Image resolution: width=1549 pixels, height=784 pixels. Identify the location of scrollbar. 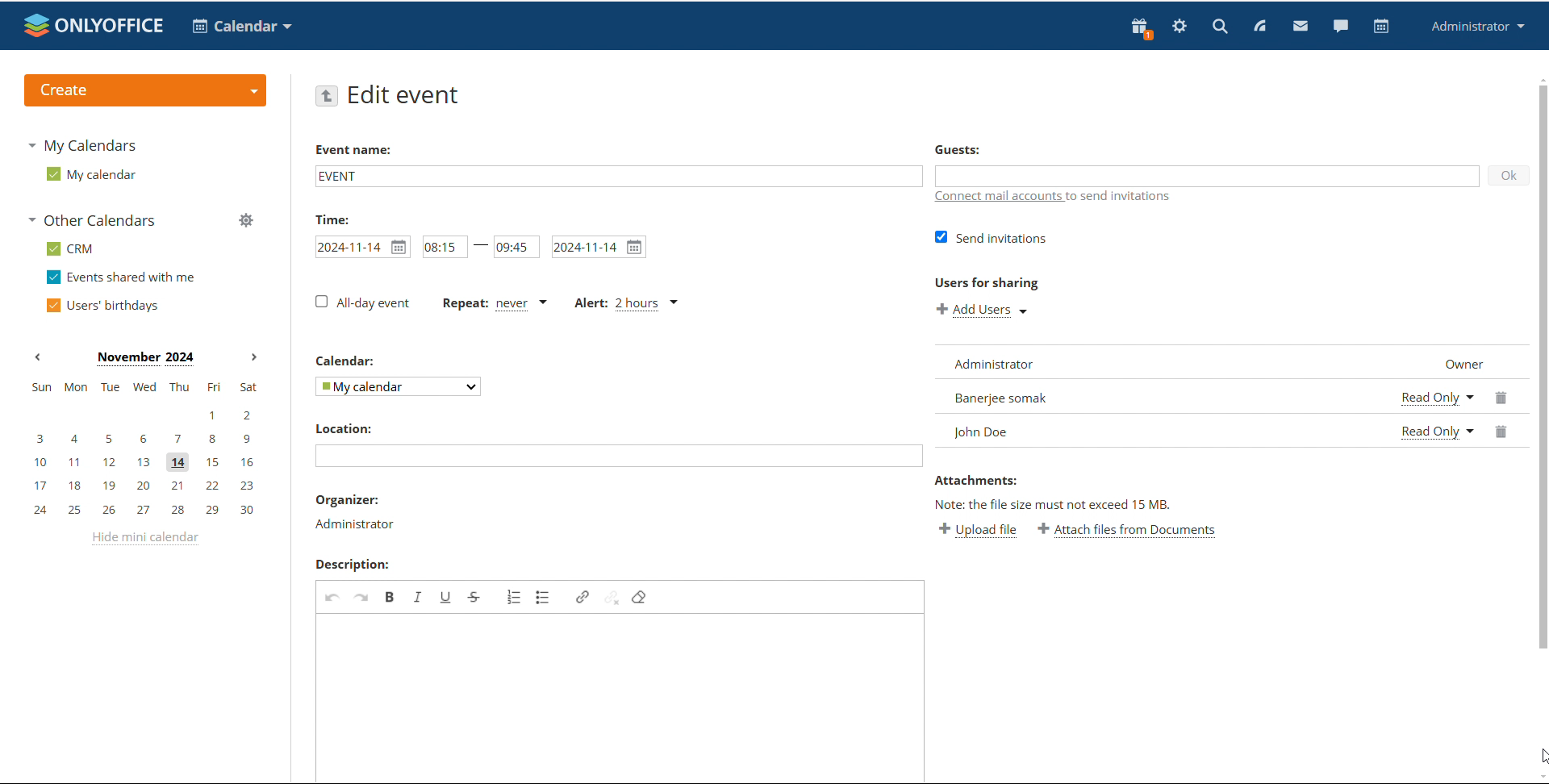
(1542, 367).